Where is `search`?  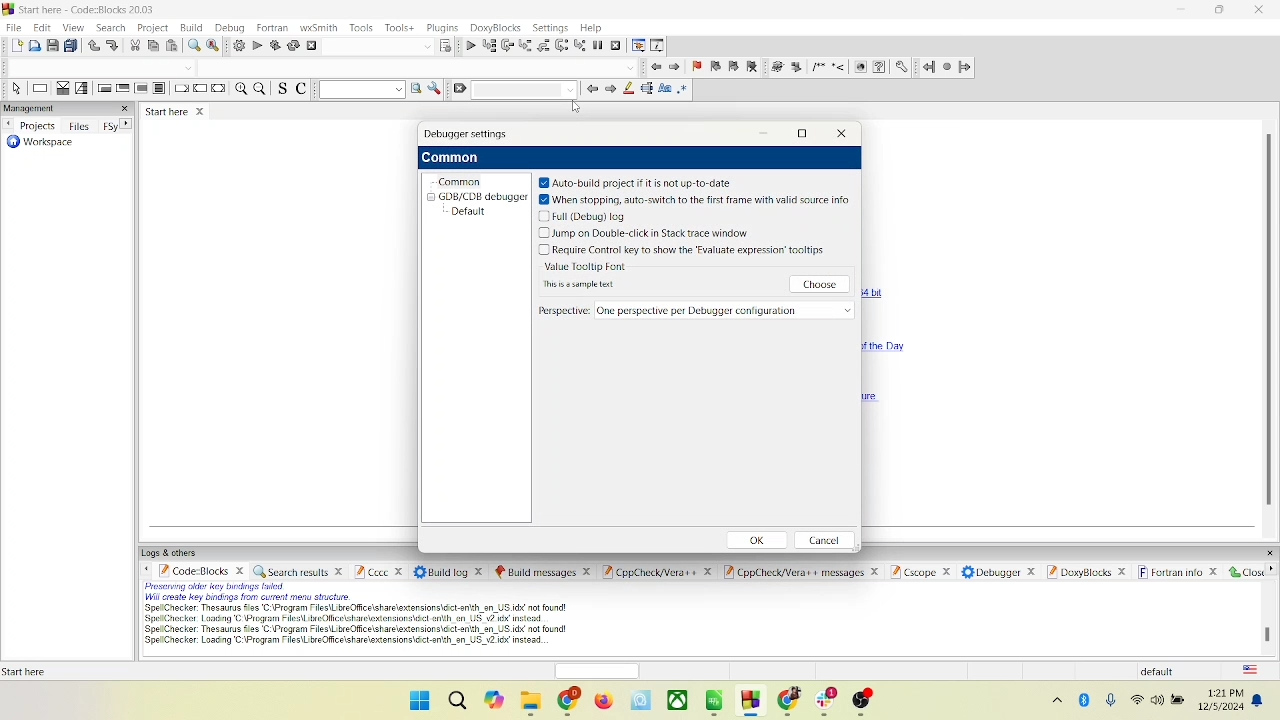
search is located at coordinates (456, 703).